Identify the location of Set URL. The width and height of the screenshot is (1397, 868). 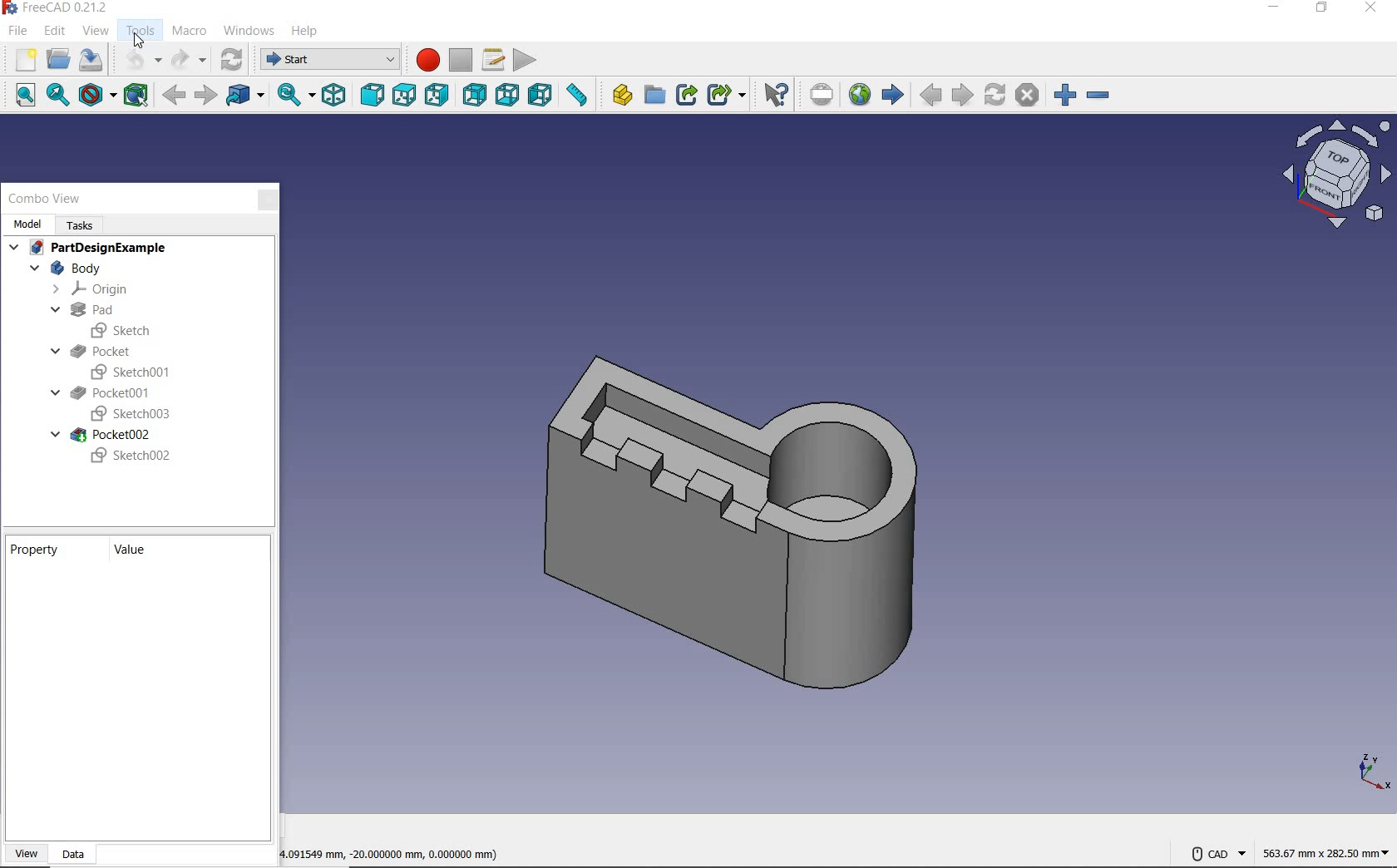
(819, 95).